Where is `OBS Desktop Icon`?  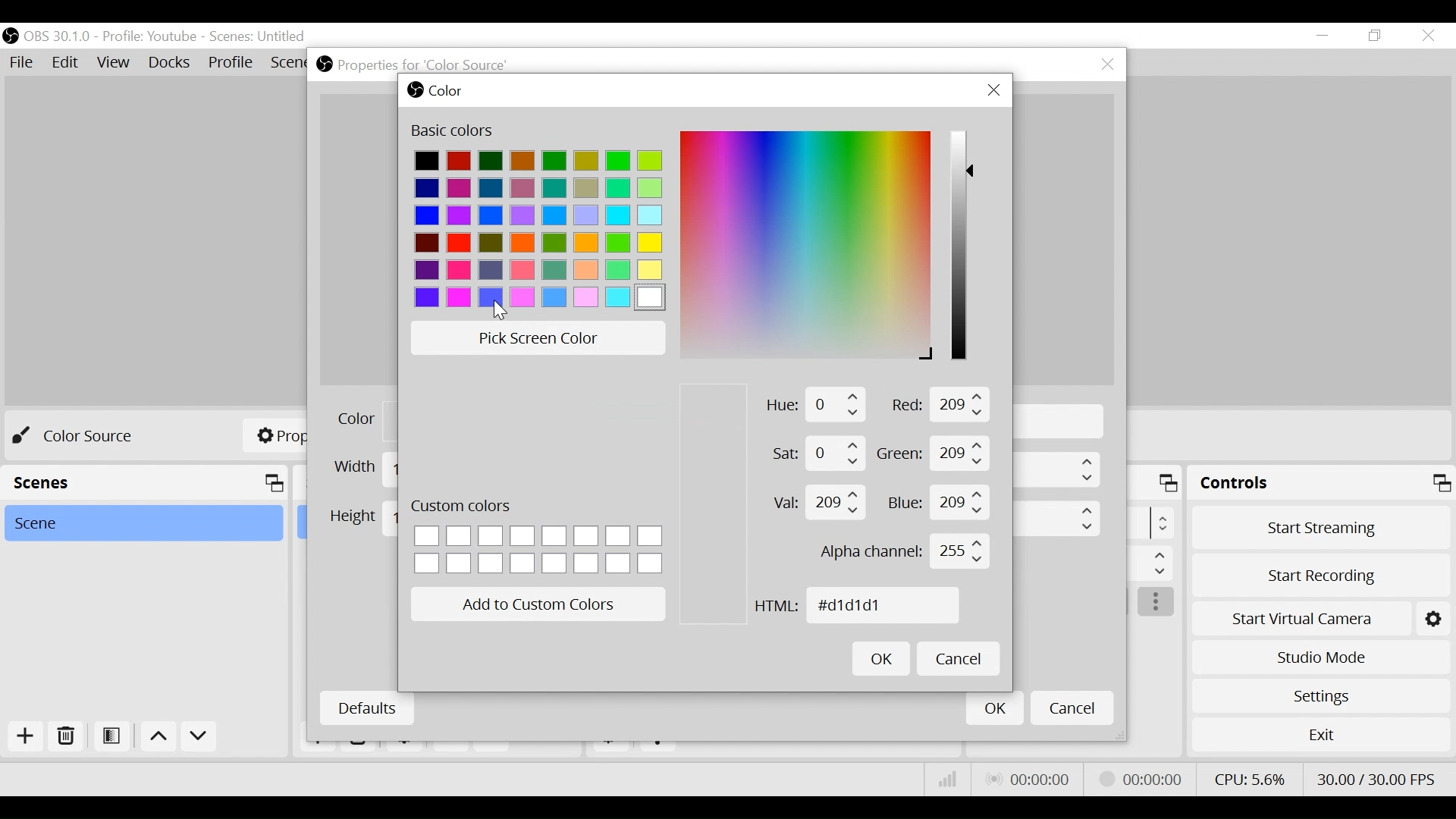 OBS Desktop Icon is located at coordinates (9, 36).